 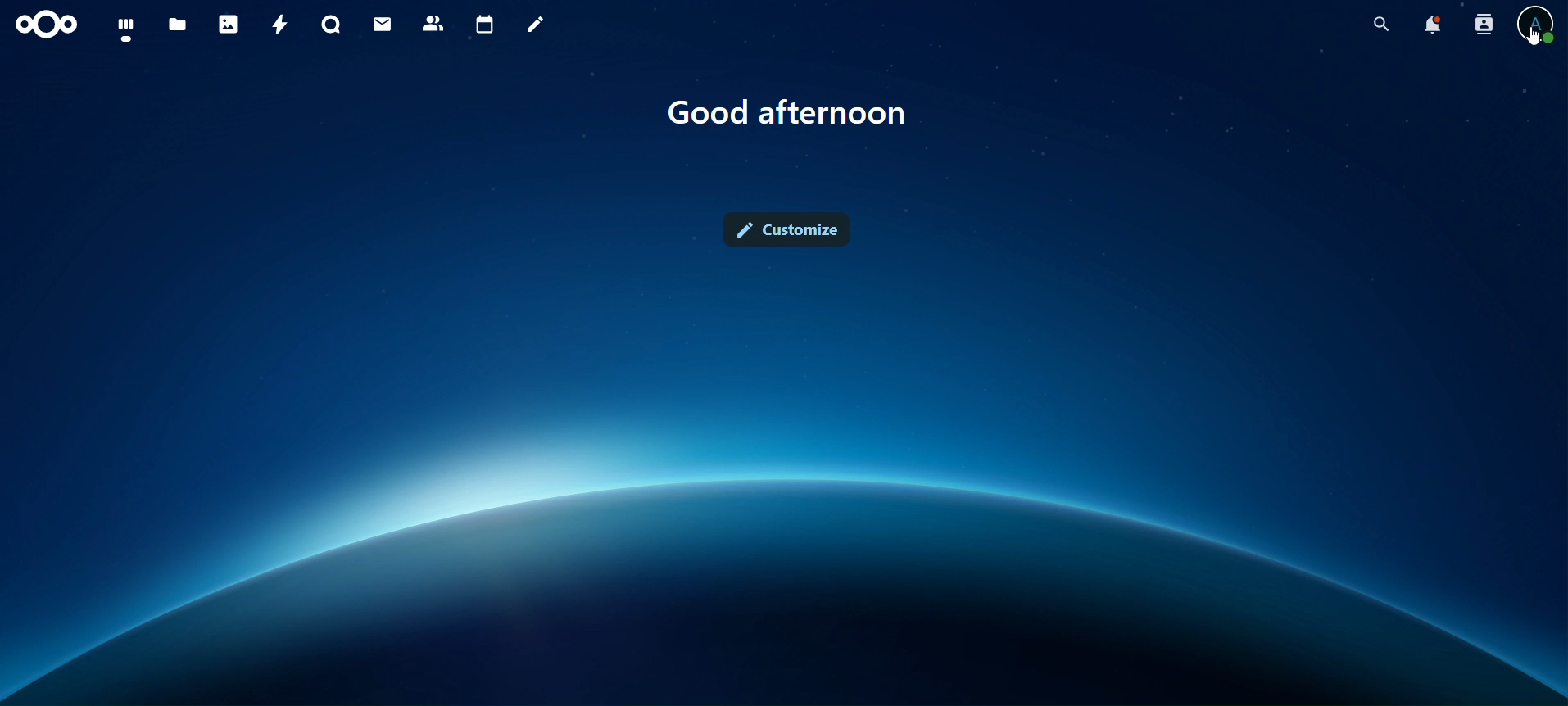 What do you see at coordinates (484, 26) in the screenshot?
I see `calendar` at bounding box center [484, 26].